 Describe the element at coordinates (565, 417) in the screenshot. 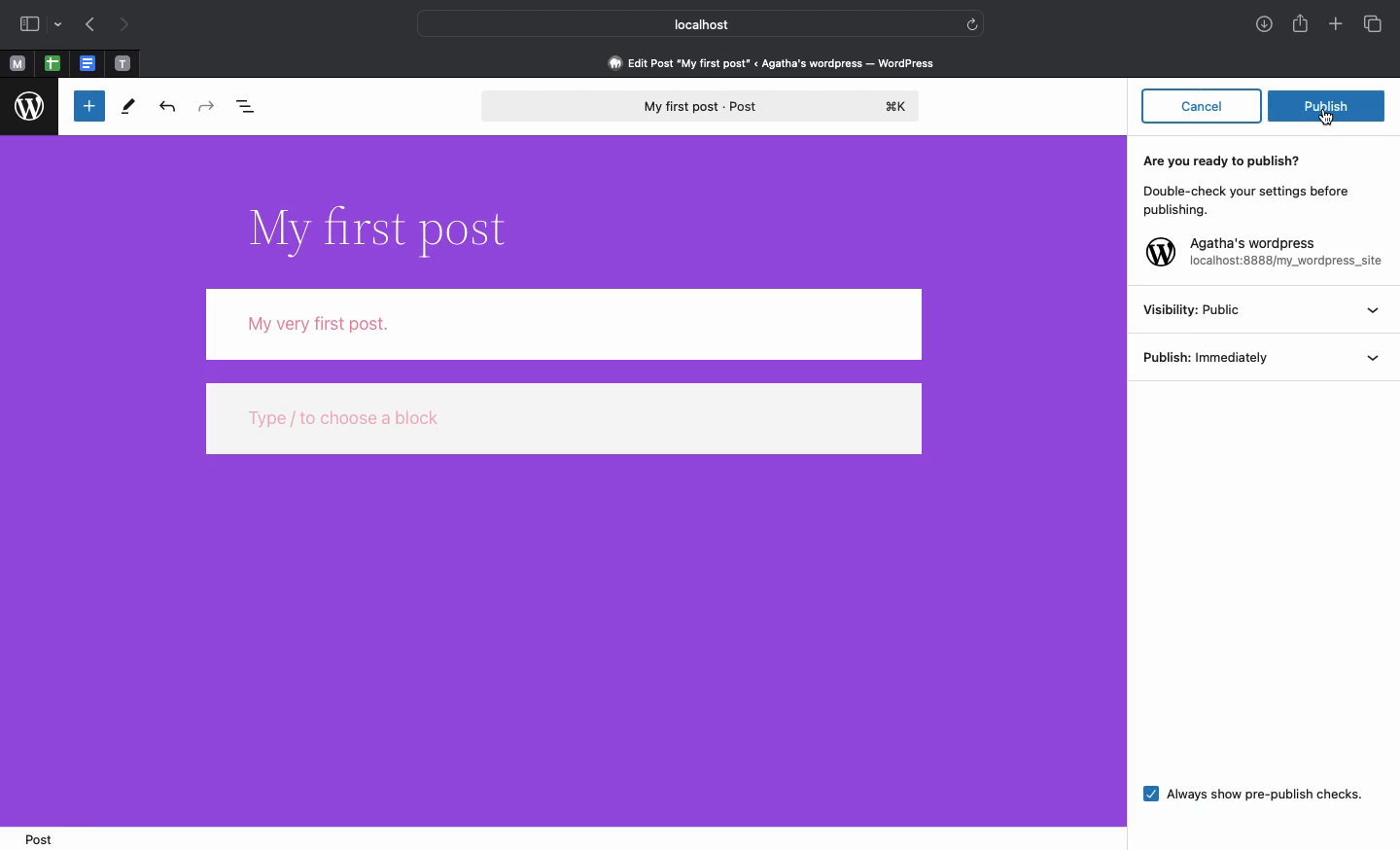

I see `type / to choose a block` at that location.